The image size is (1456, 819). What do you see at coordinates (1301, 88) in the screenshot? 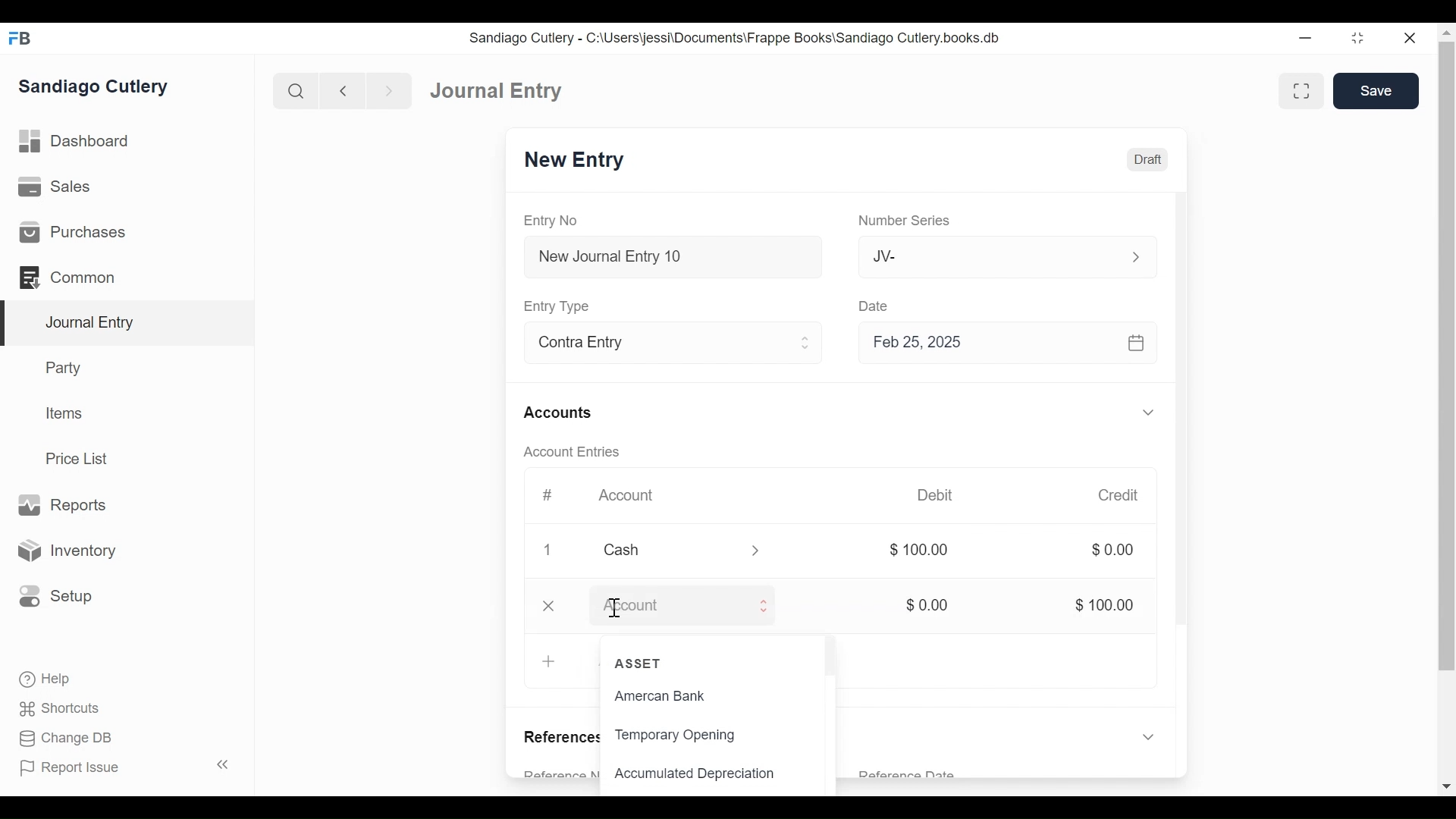
I see `Toggle between form and full width` at bounding box center [1301, 88].